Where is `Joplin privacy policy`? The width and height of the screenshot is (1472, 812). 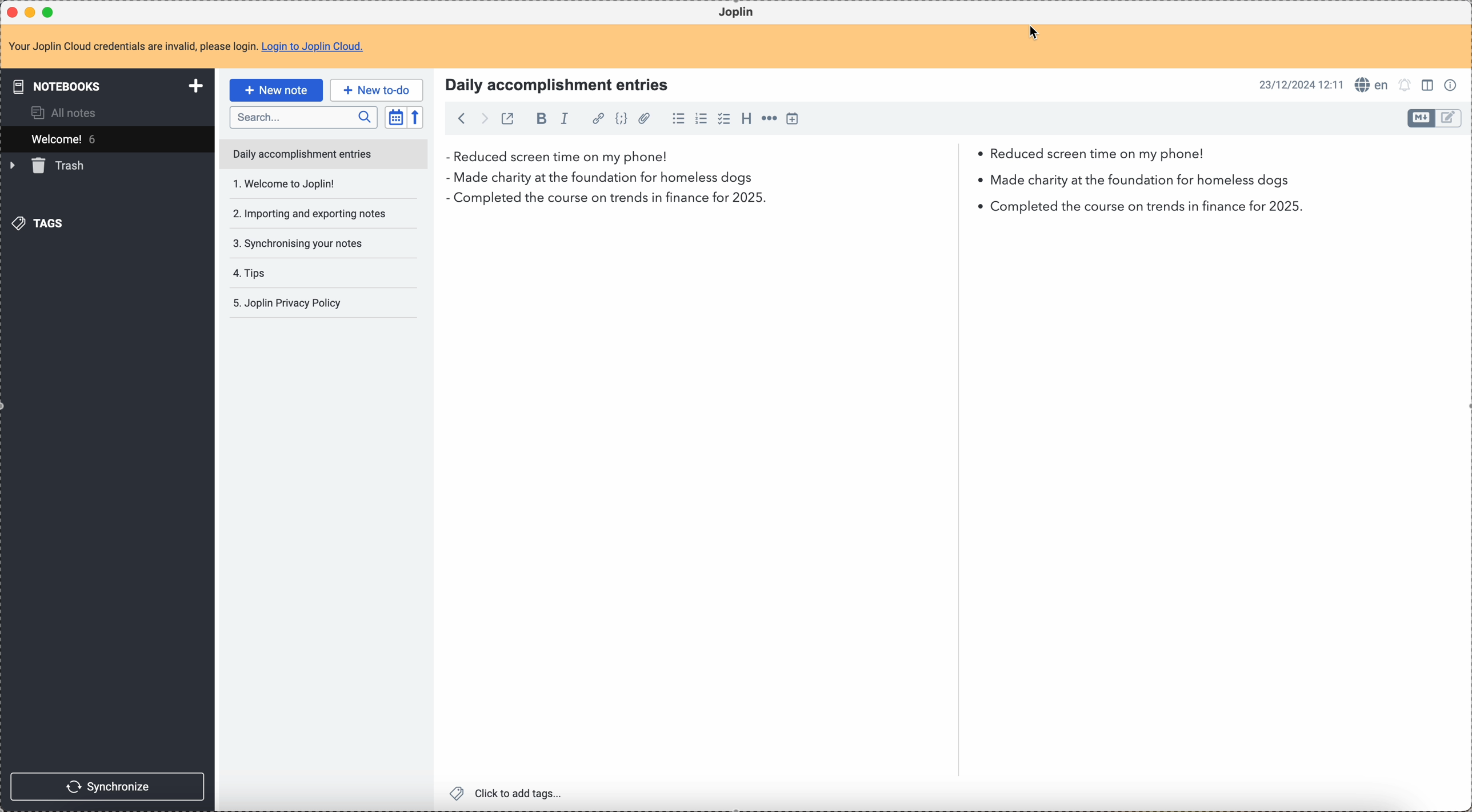 Joplin privacy policy is located at coordinates (286, 273).